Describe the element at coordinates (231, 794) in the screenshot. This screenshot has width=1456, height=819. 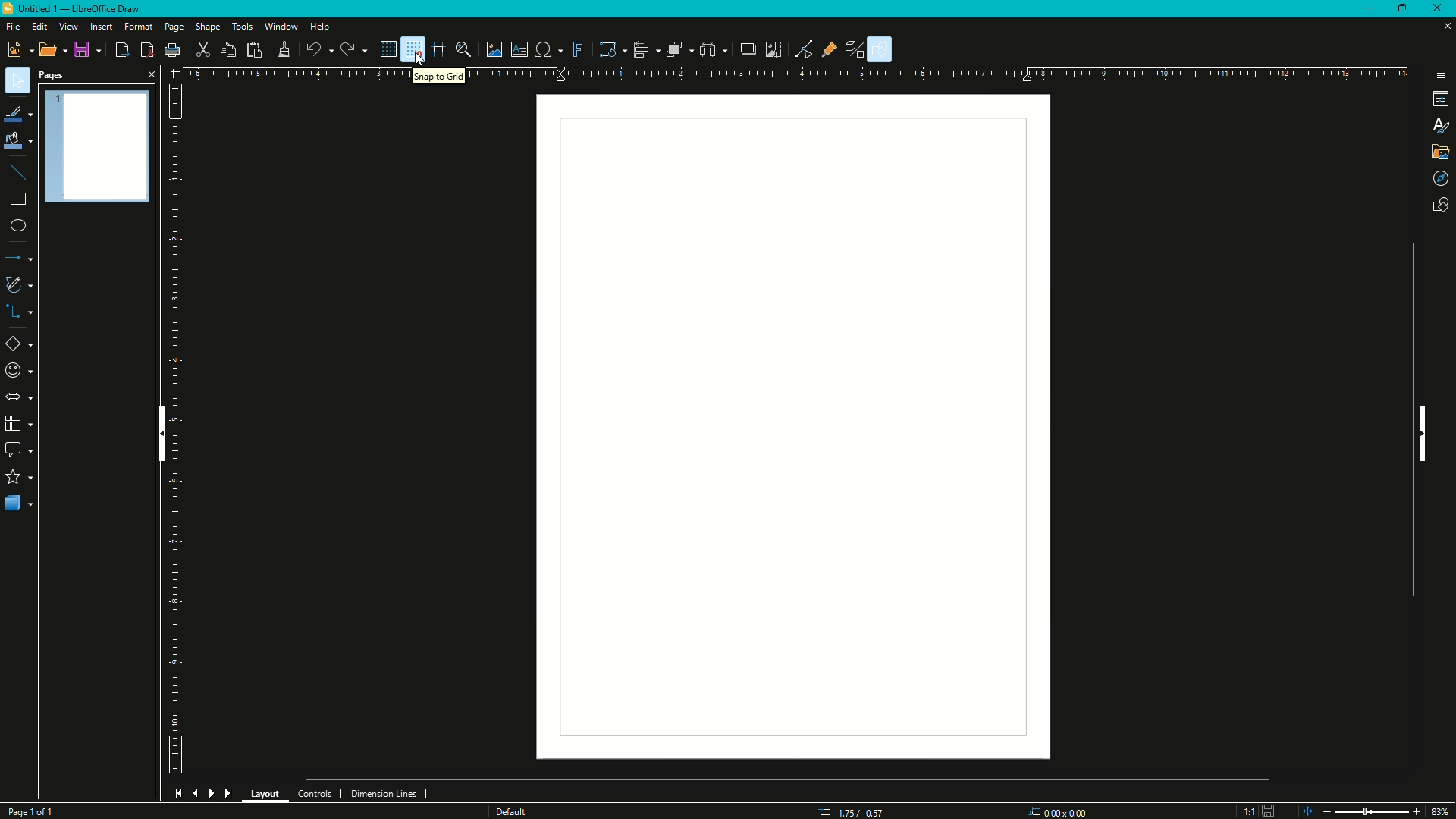
I see `Last page` at that location.